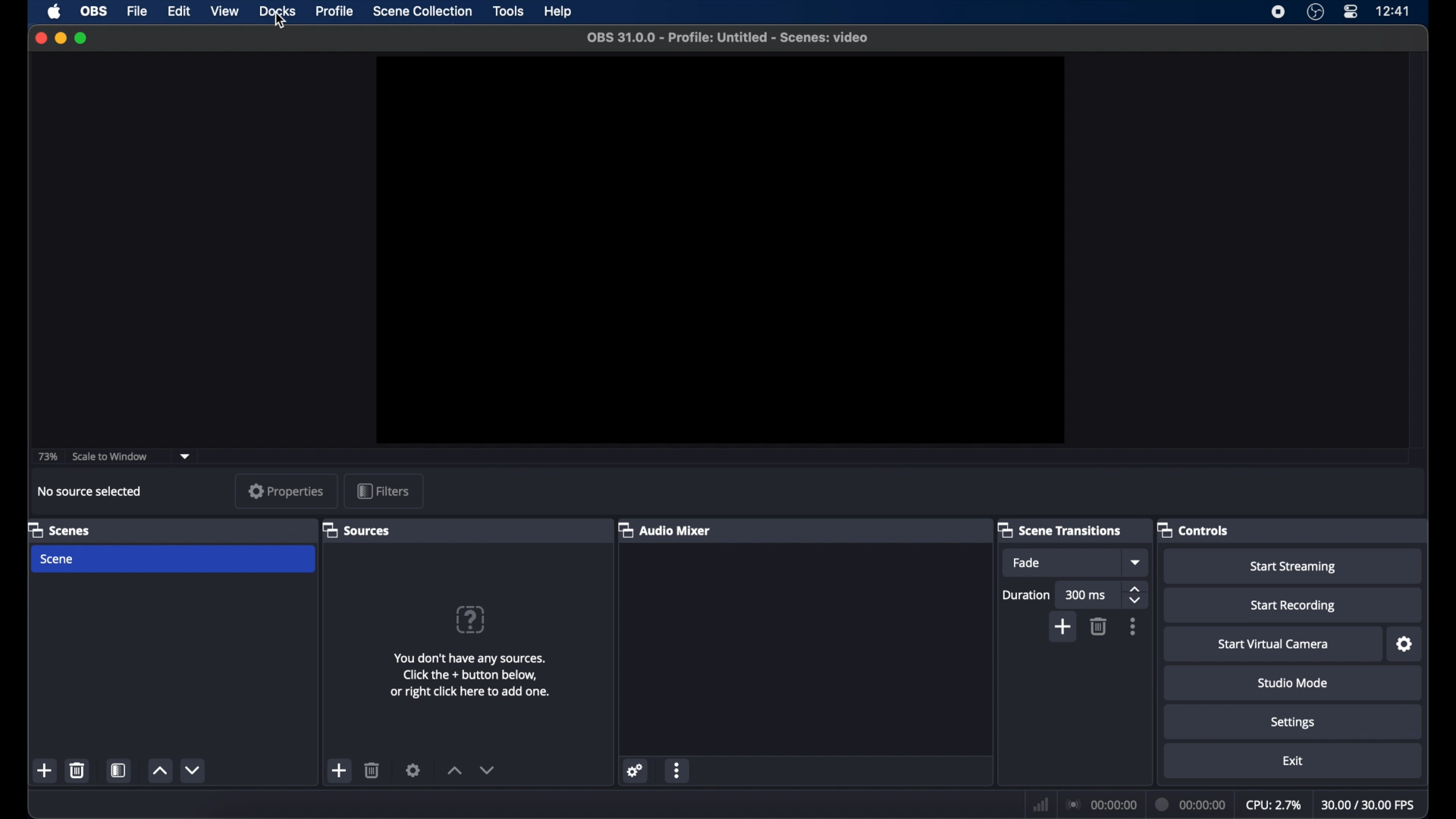 This screenshot has height=819, width=1456. What do you see at coordinates (557, 11) in the screenshot?
I see `help` at bounding box center [557, 11].